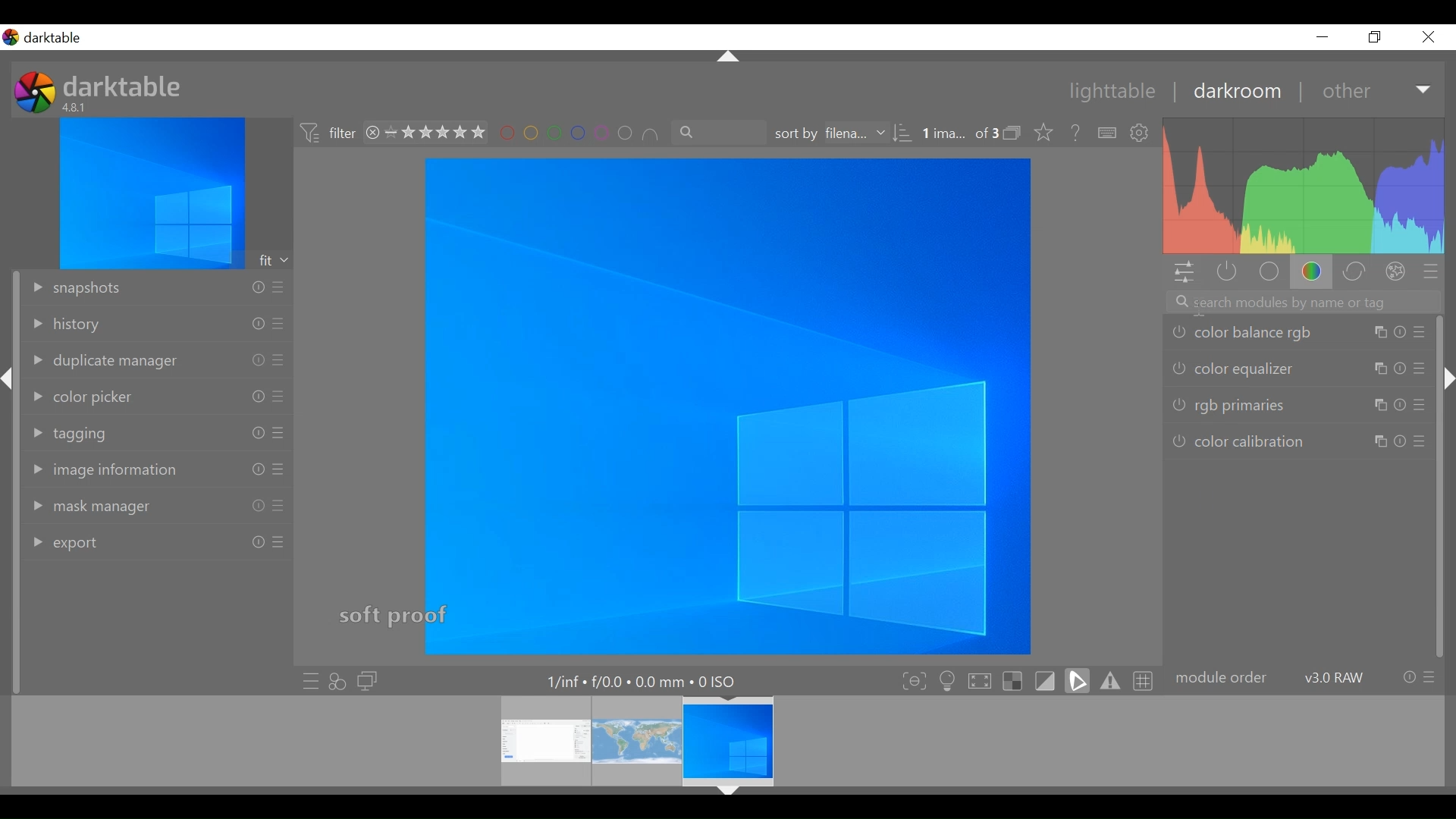 Image resolution: width=1456 pixels, height=819 pixels. What do you see at coordinates (1305, 186) in the screenshot?
I see `histogram` at bounding box center [1305, 186].